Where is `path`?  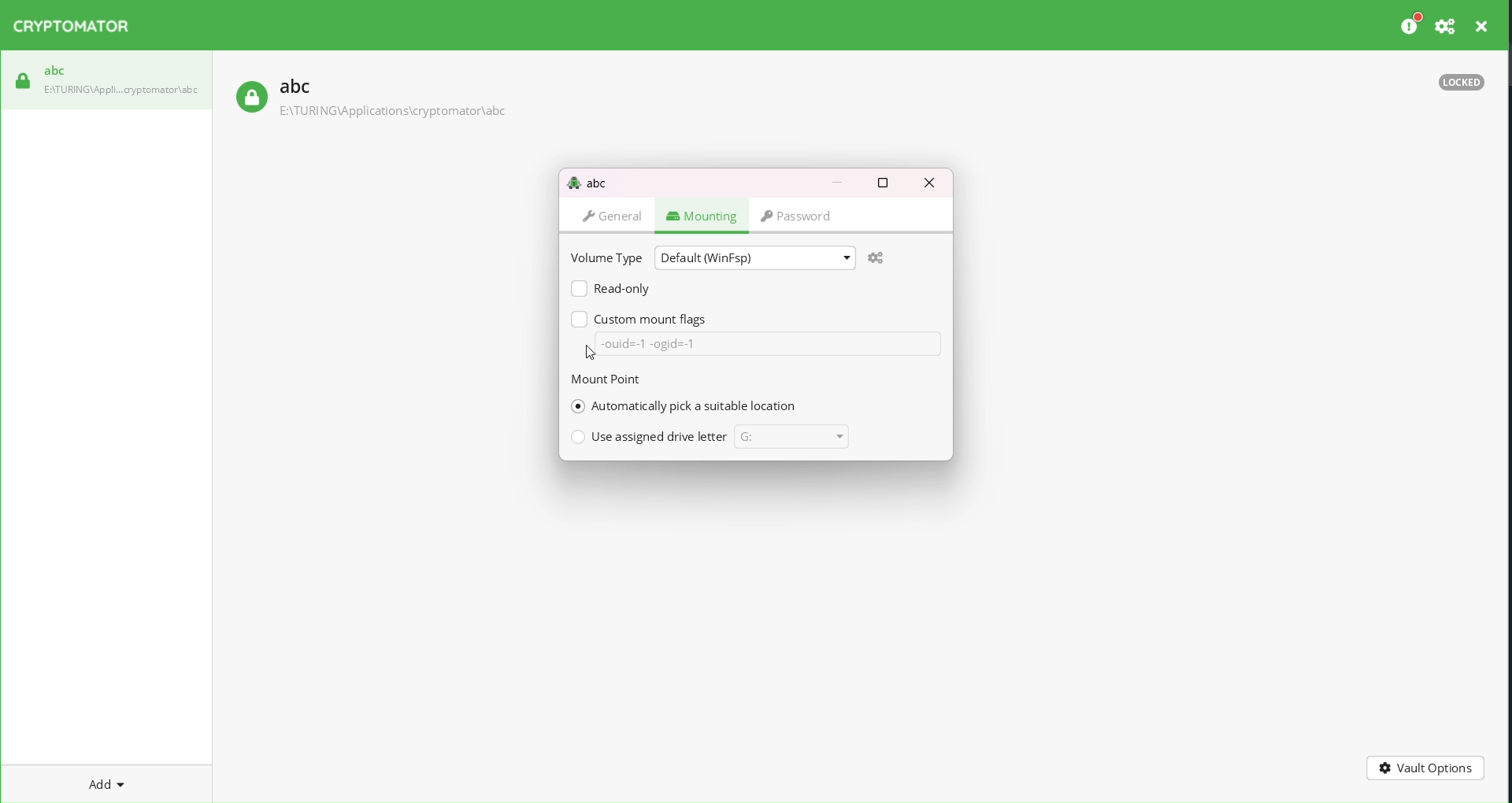 path is located at coordinates (124, 89).